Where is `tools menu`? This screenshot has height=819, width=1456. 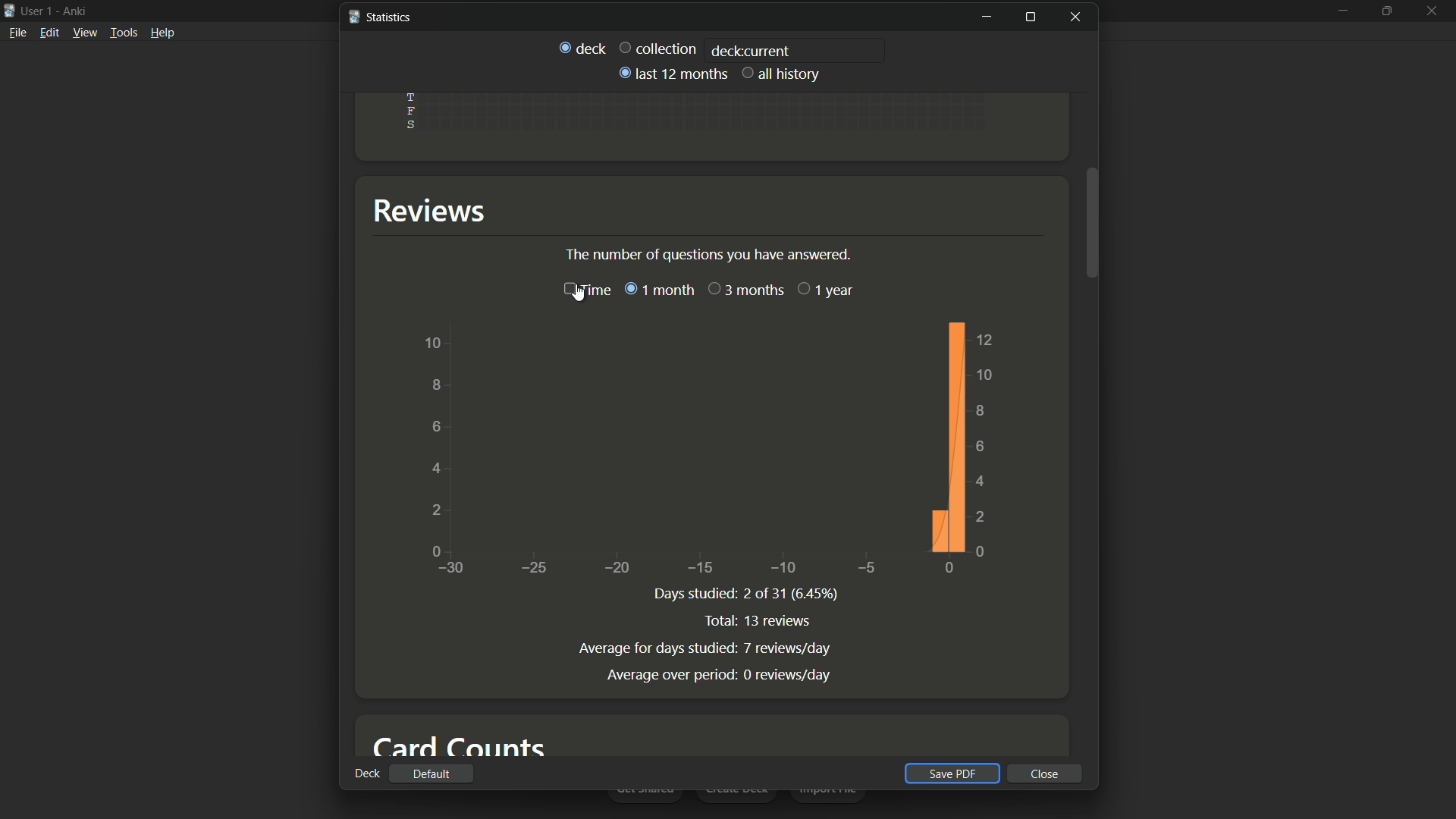
tools menu is located at coordinates (124, 32).